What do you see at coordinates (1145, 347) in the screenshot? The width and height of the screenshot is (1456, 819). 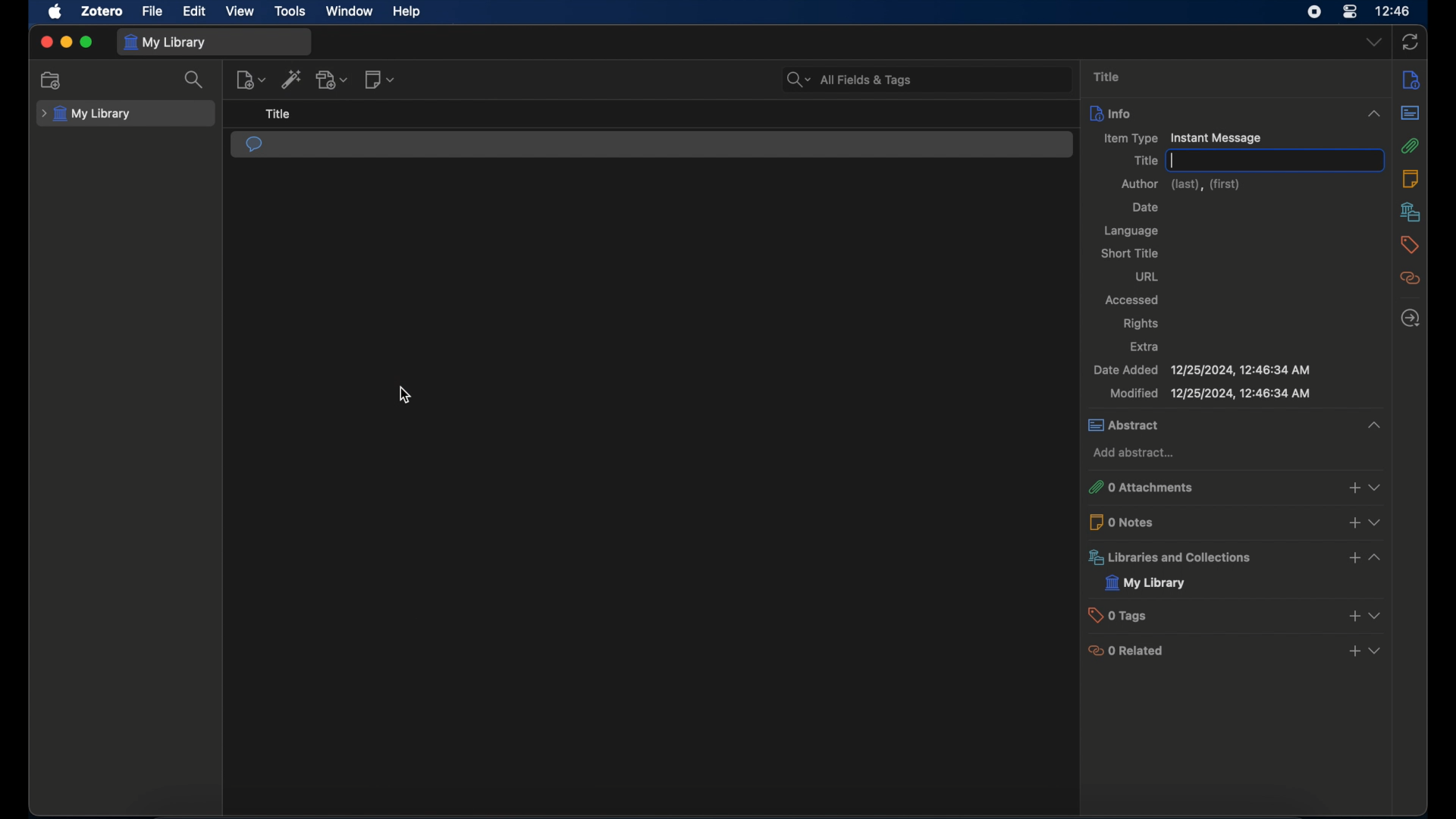 I see `extra` at bounding box center [1145, 347].